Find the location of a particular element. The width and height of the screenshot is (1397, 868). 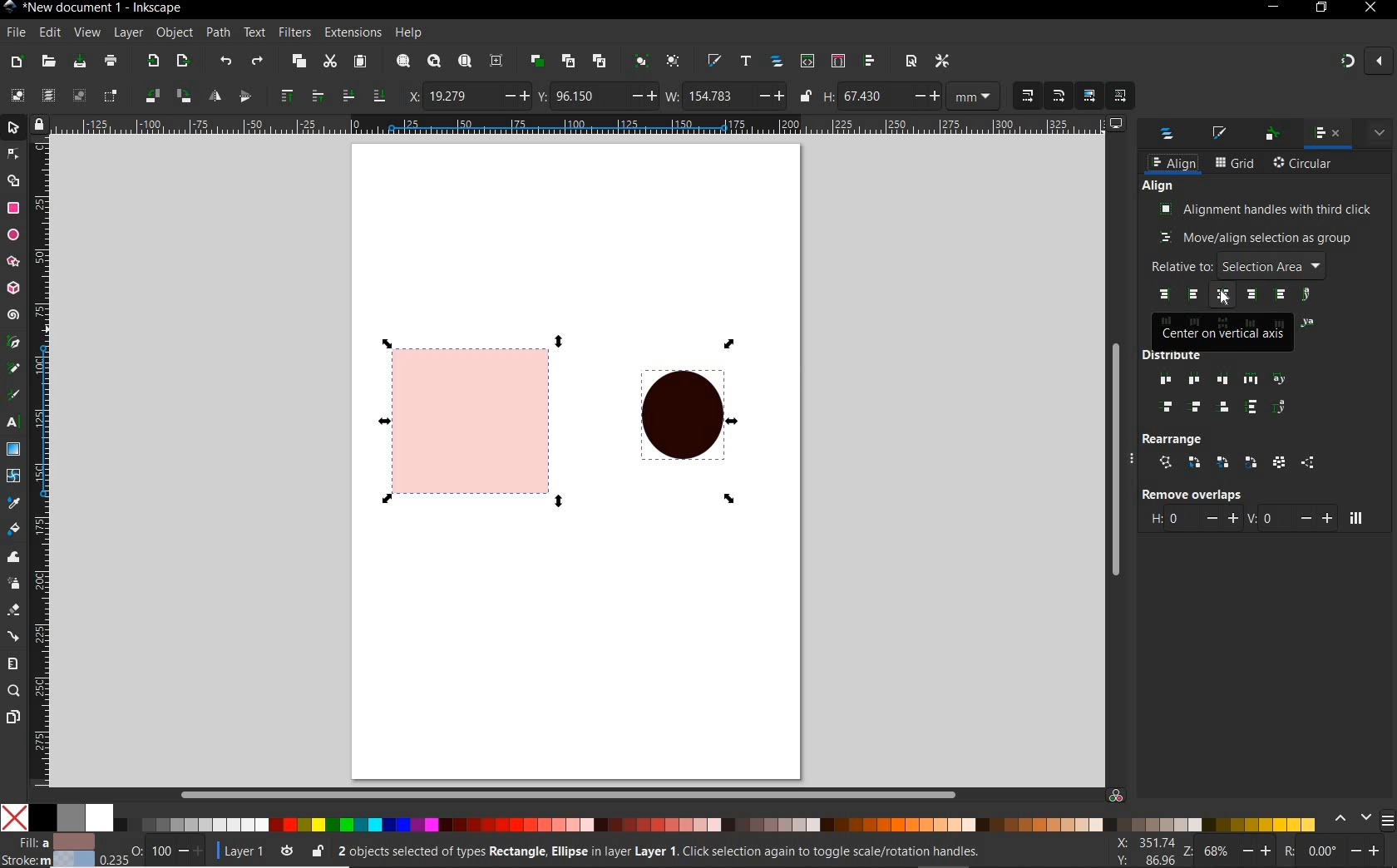

relative to selection area is located at coordinates (1237, 265).